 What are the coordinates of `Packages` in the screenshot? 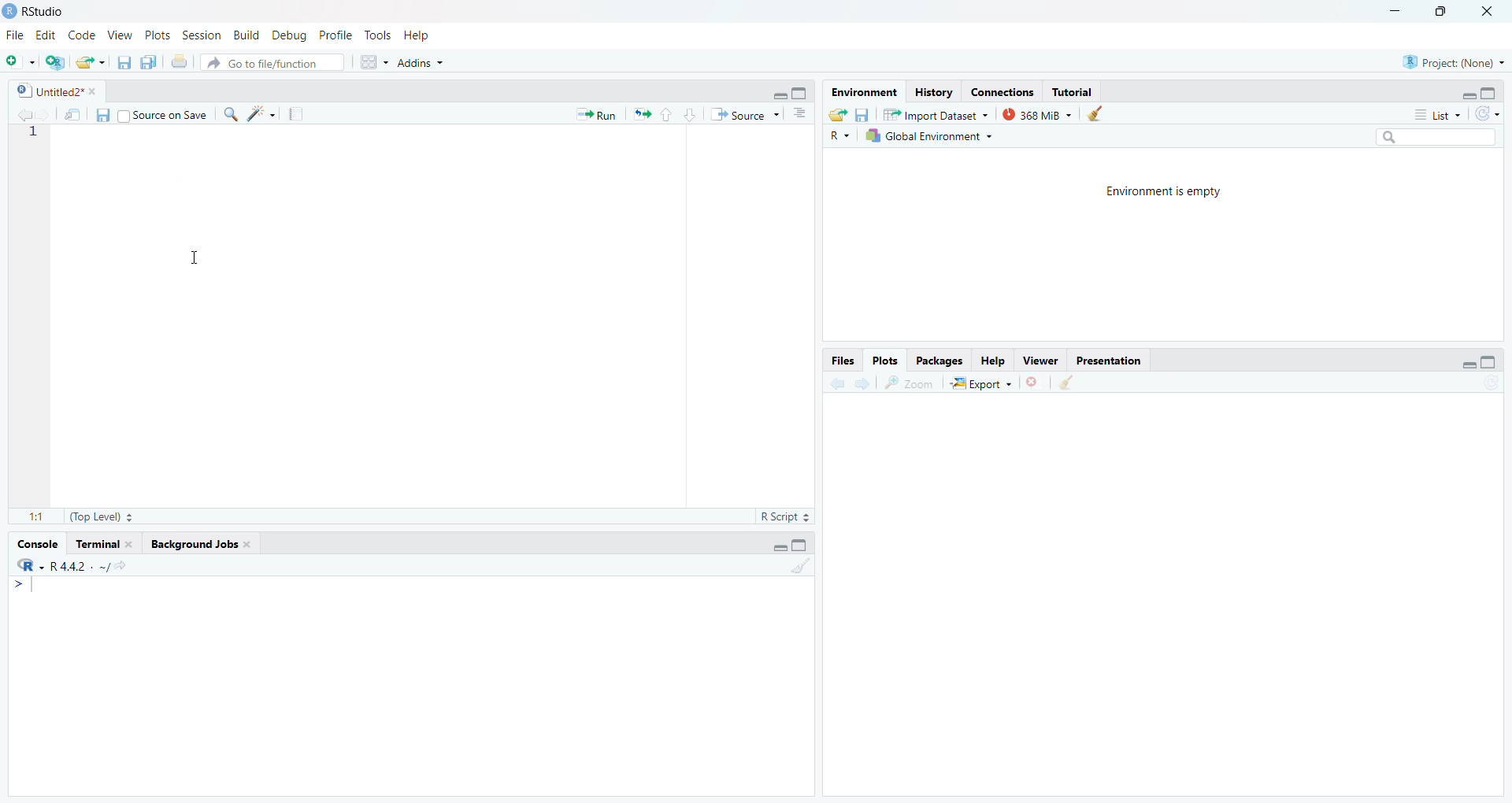 It's located at (937, 361).